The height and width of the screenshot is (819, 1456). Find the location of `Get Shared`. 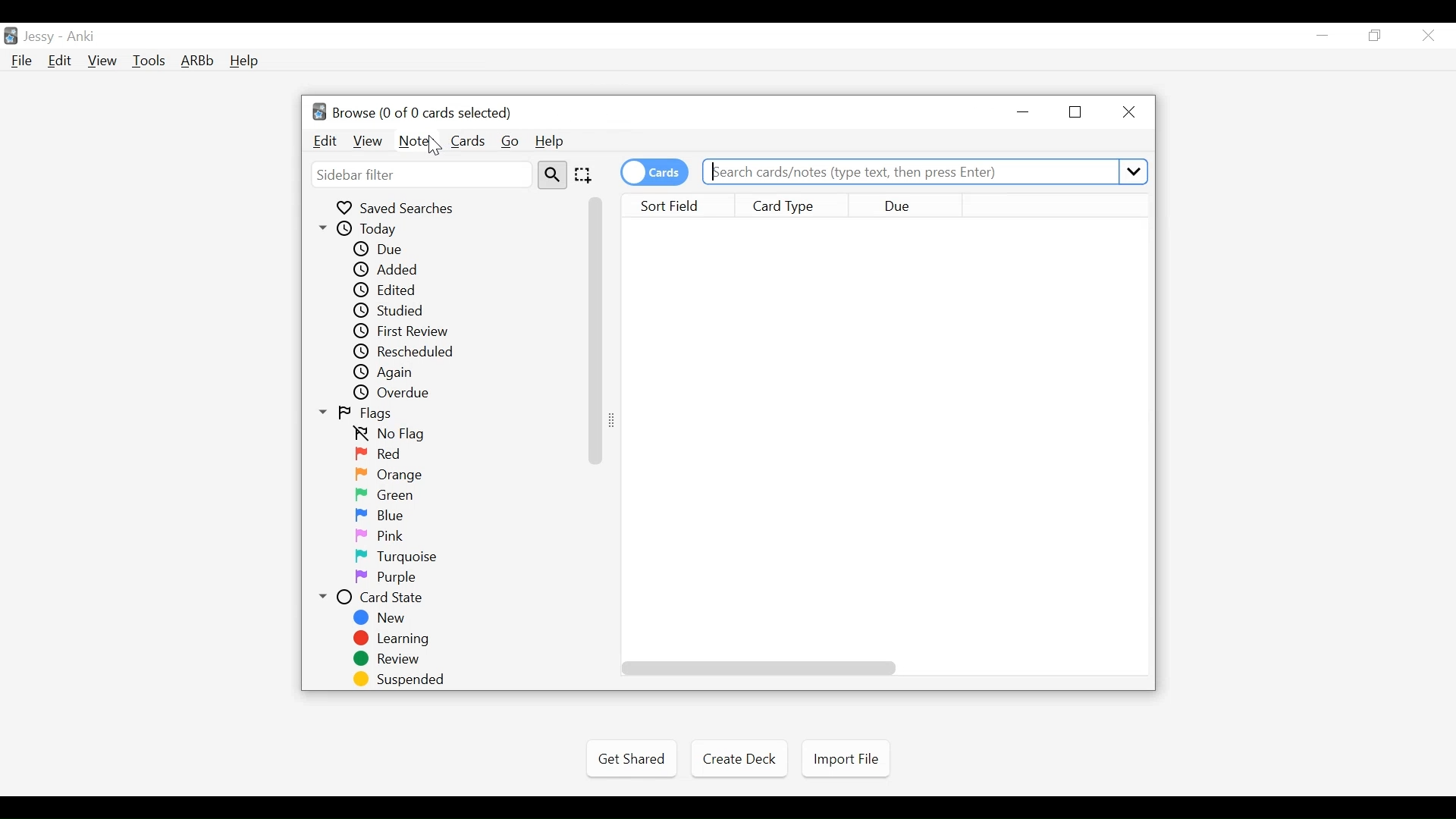

Get Shared is located at coordinates (631, 759).